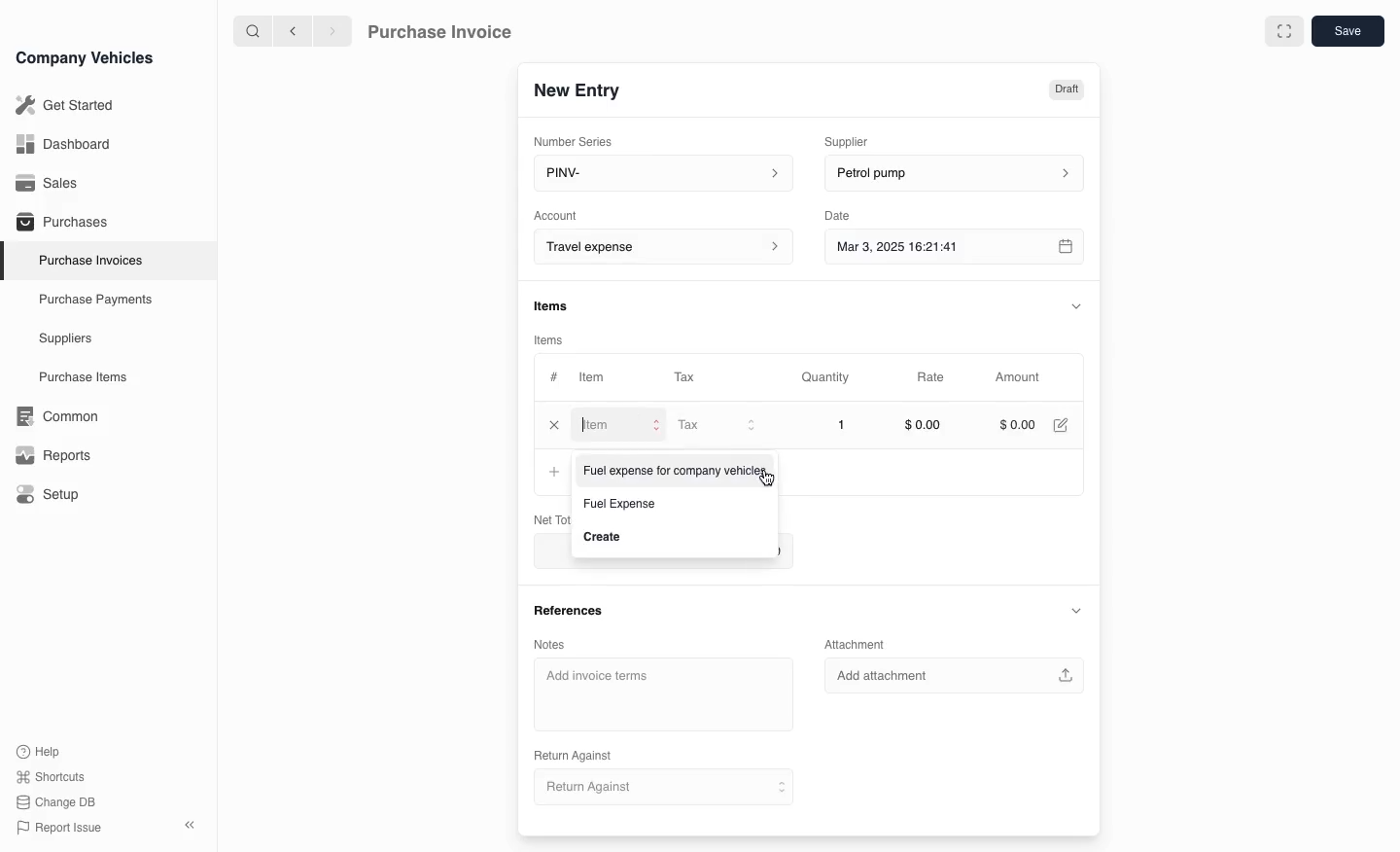 This screenshot has width=1400, height=852. Describe the element at coordinates (52, 495) in the screenshot. I see `Setup` at that location.